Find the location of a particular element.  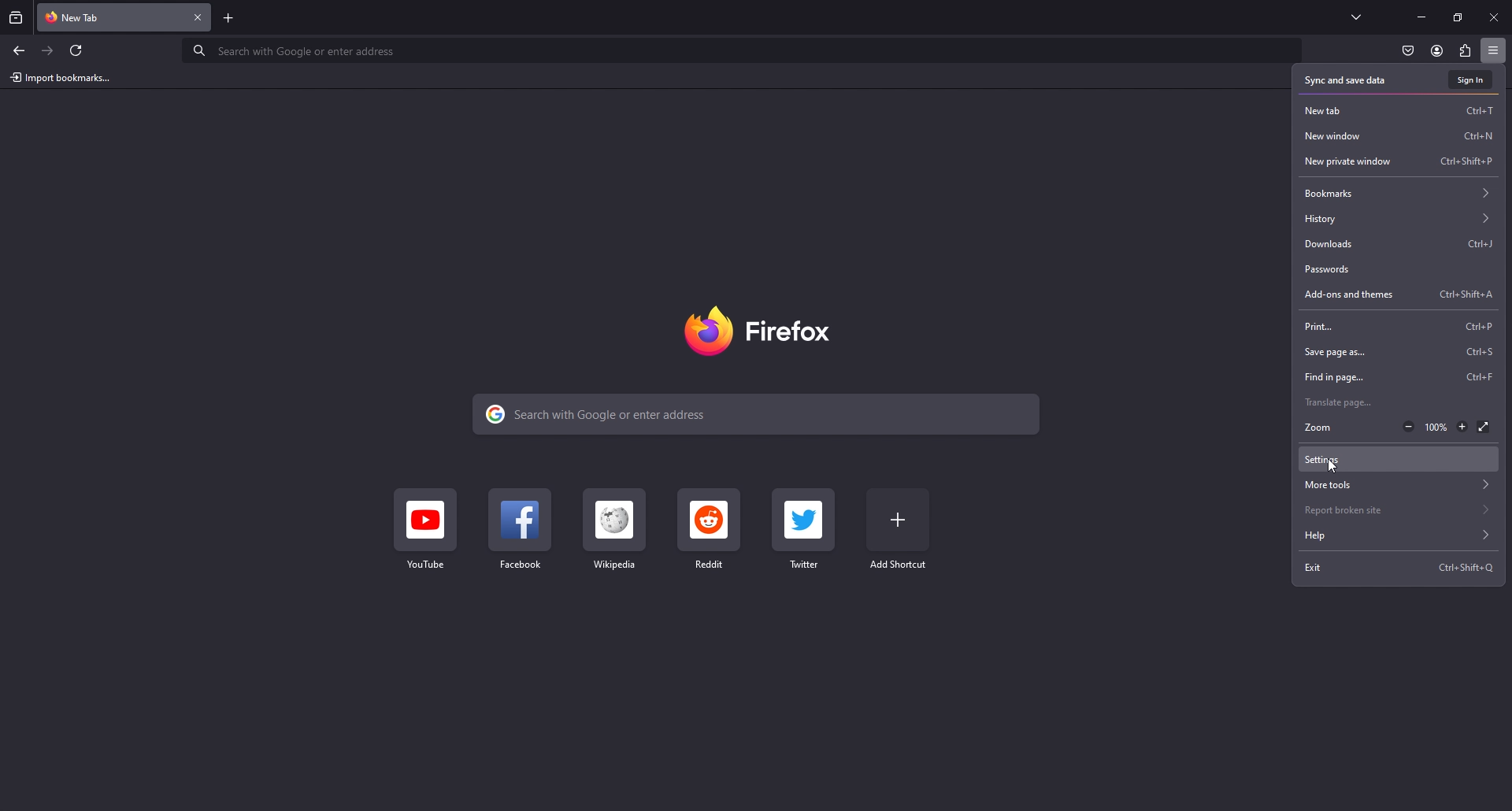

new tab is located at coordinates (1399, 110).